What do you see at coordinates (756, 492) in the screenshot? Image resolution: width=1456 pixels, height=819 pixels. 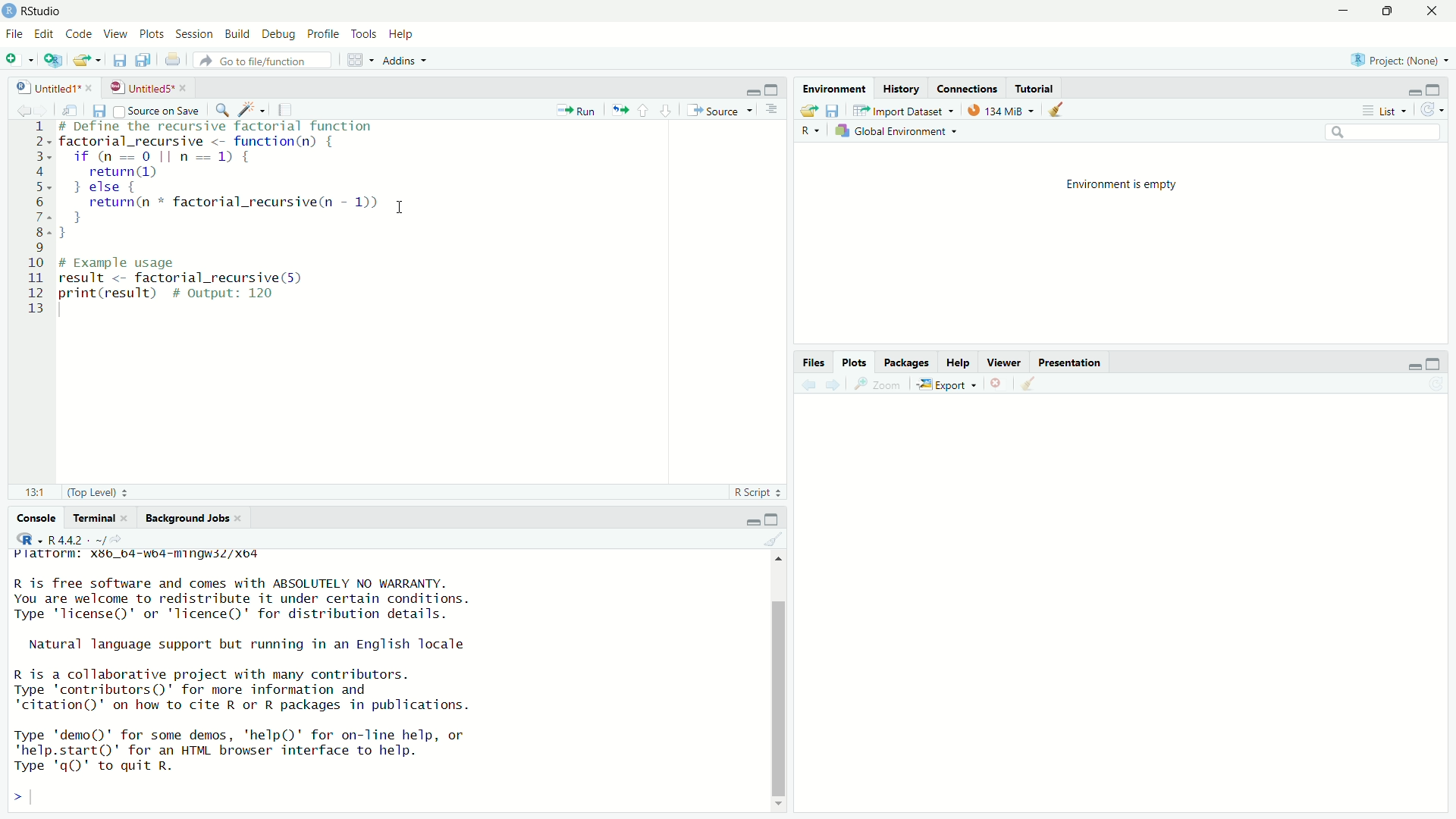 I see `R Script` at bounding box center [756, 492].